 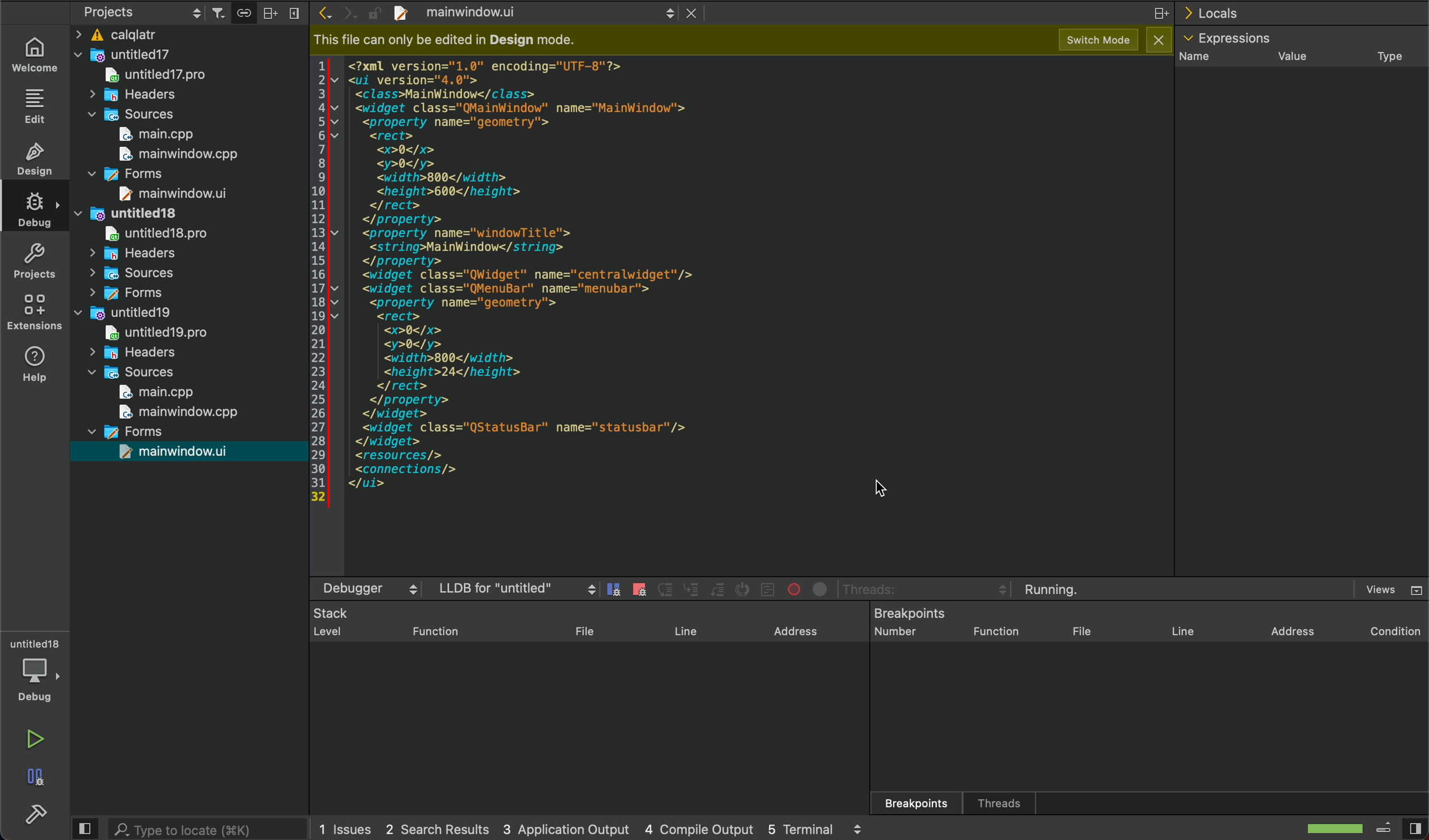 What do you see at coordinates (447, 40) in the screenshot?
I see `This file can only be edited in Design mode.` at bounding box center [447, 40].